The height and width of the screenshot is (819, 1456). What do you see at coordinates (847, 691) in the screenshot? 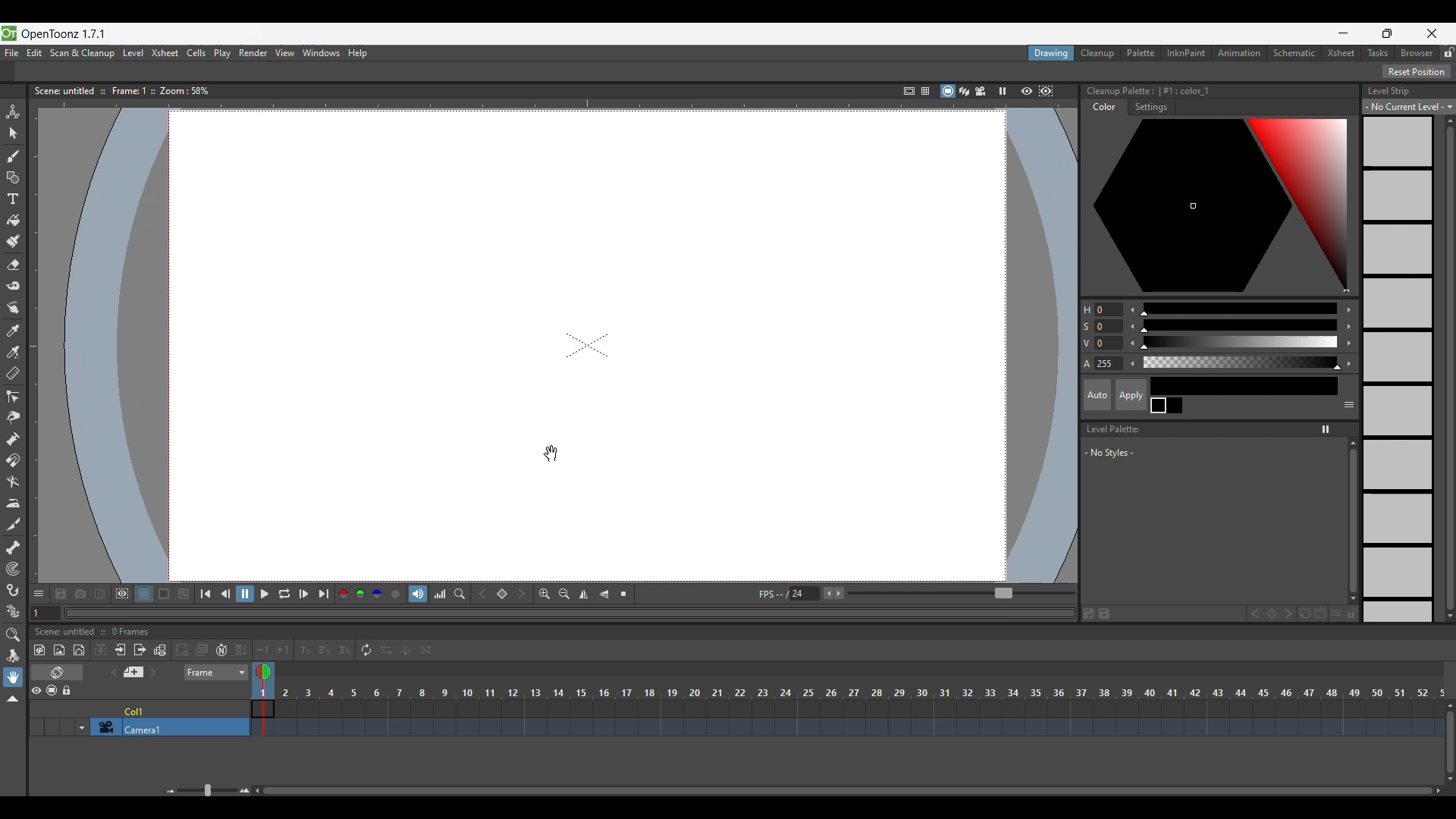
I see `Frames` at bounding box center [847, 691].